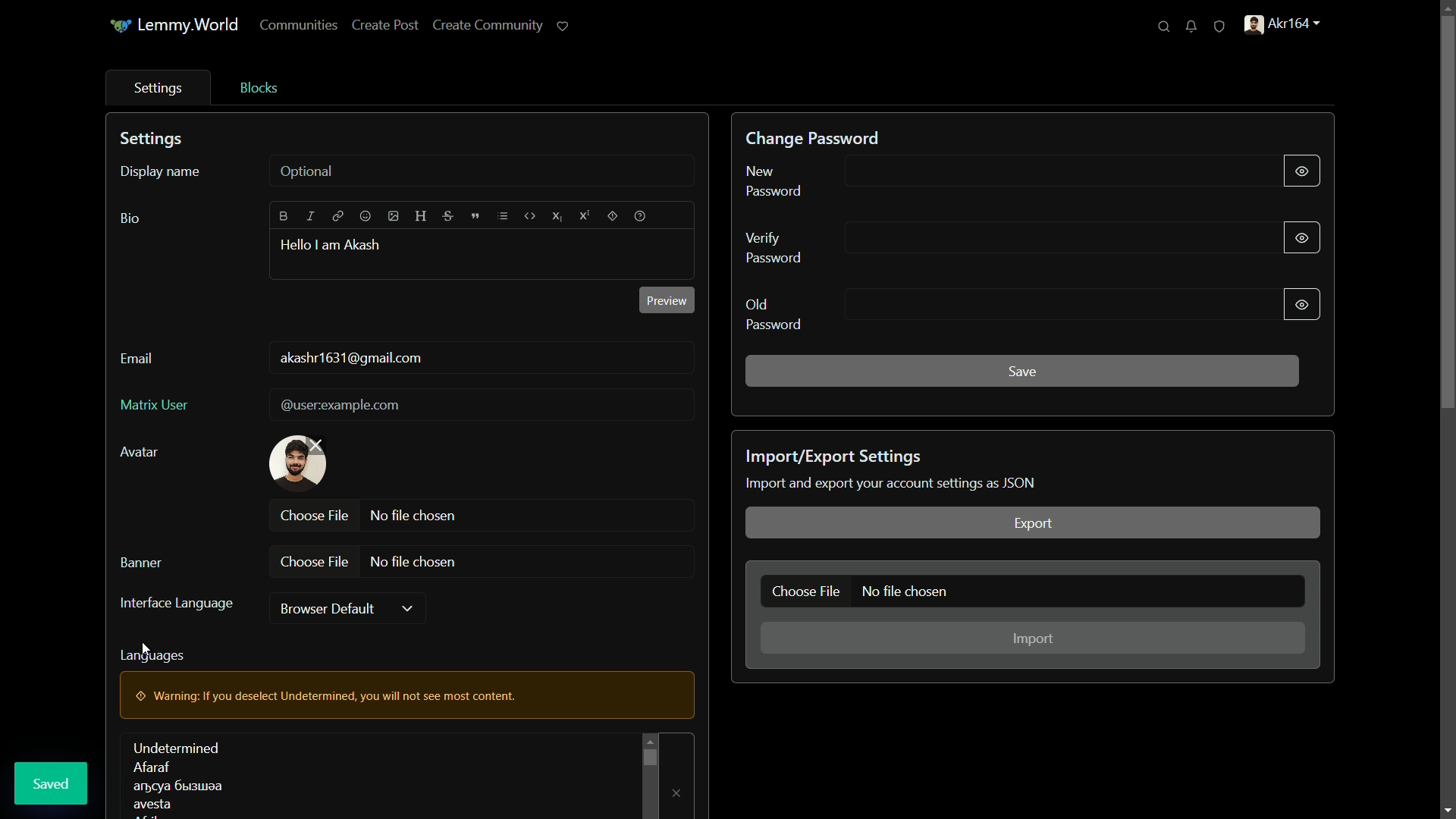 The width and height of the screenshot is (1456, 819). Describe the element at coordinates (161, 173) in the screenshot. I see `display name` at that location.